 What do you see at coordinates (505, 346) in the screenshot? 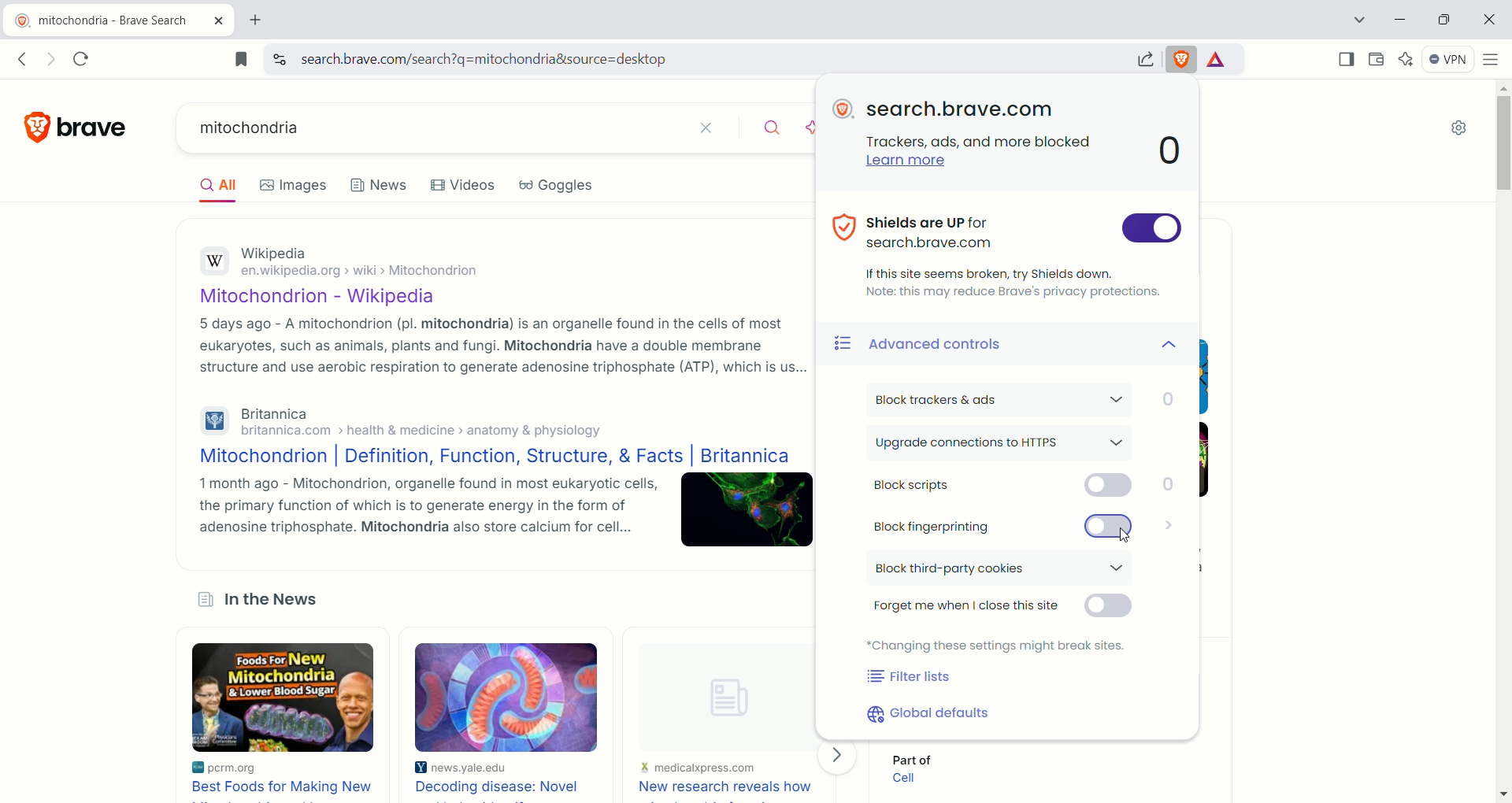
I see `5 days ago - A mitochondrion (pl. mitochondria) is an organelle found in the cells of most
eukaryotes, such as animals, plants and fungi. Mitochondria have a double membrane
structure and use aerobic respiration to generate adenosine triphosphate (ATP), which is us...` at bounding box center [505, 346].